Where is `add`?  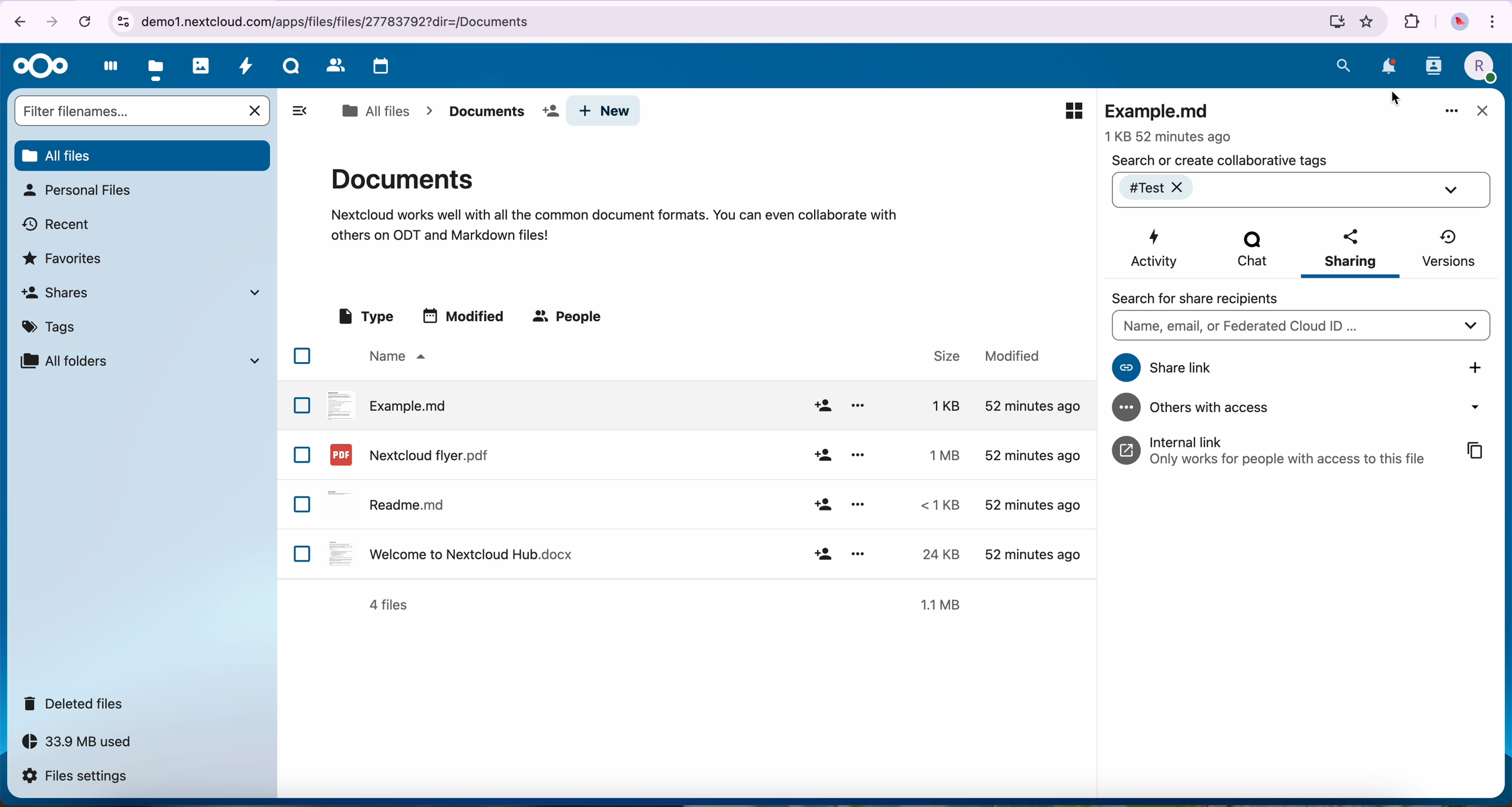
add is located at coordinates (822, 505).